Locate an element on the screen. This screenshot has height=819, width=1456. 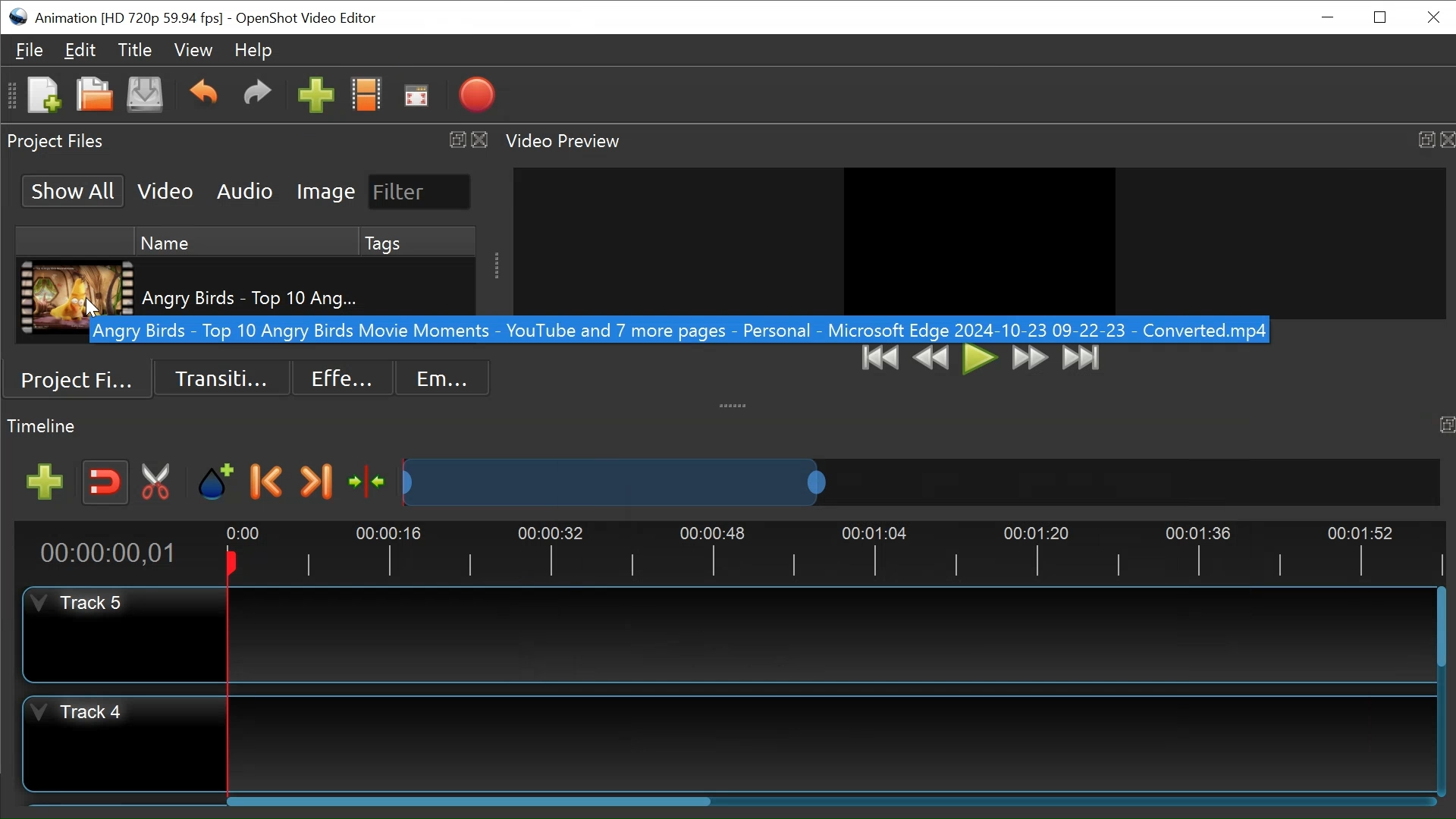
Track Panel is located at coordinates (833, 739).